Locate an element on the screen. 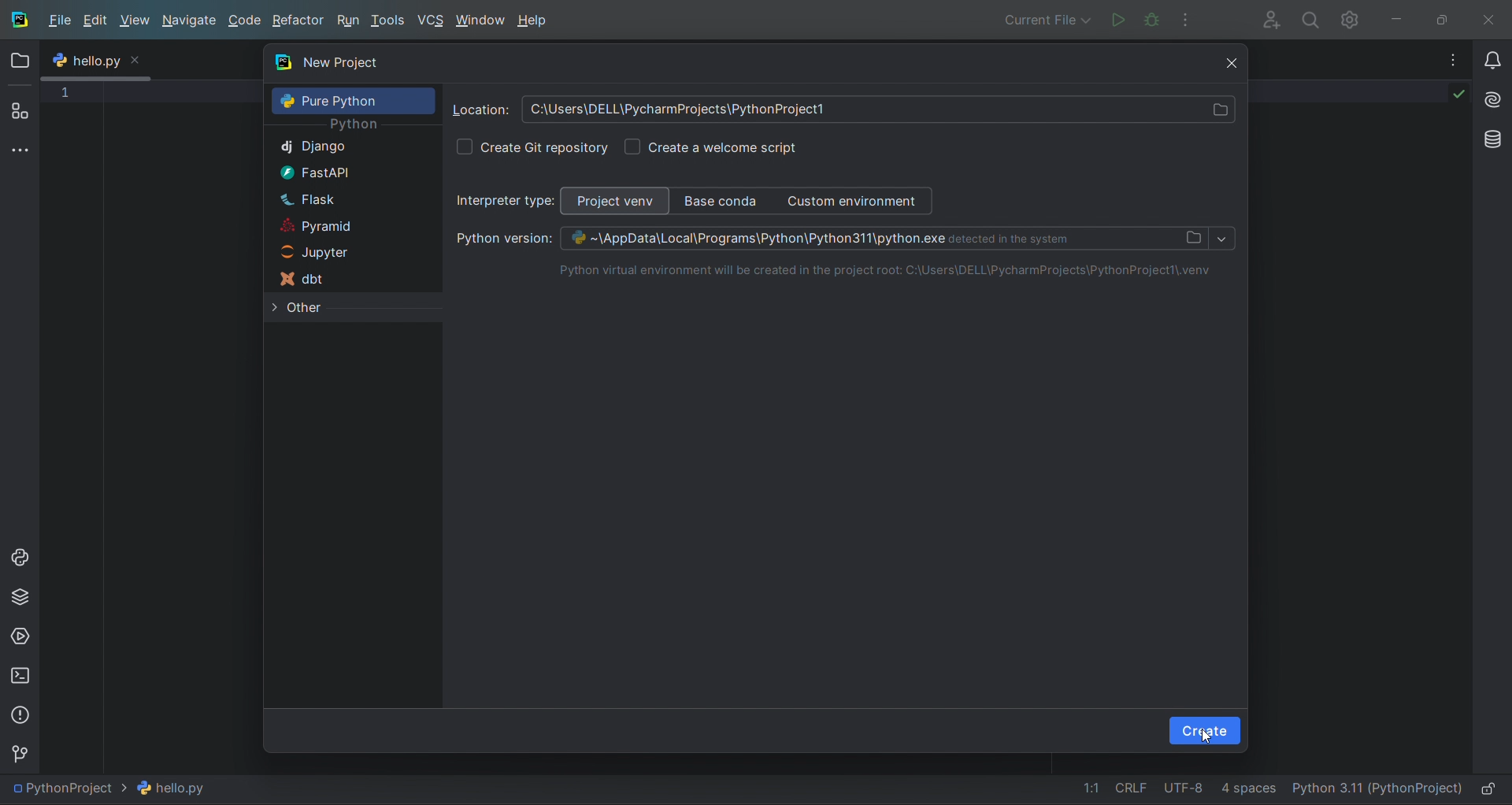 The image size is (1512, 805). file data is located at coordinates (1166, 791).